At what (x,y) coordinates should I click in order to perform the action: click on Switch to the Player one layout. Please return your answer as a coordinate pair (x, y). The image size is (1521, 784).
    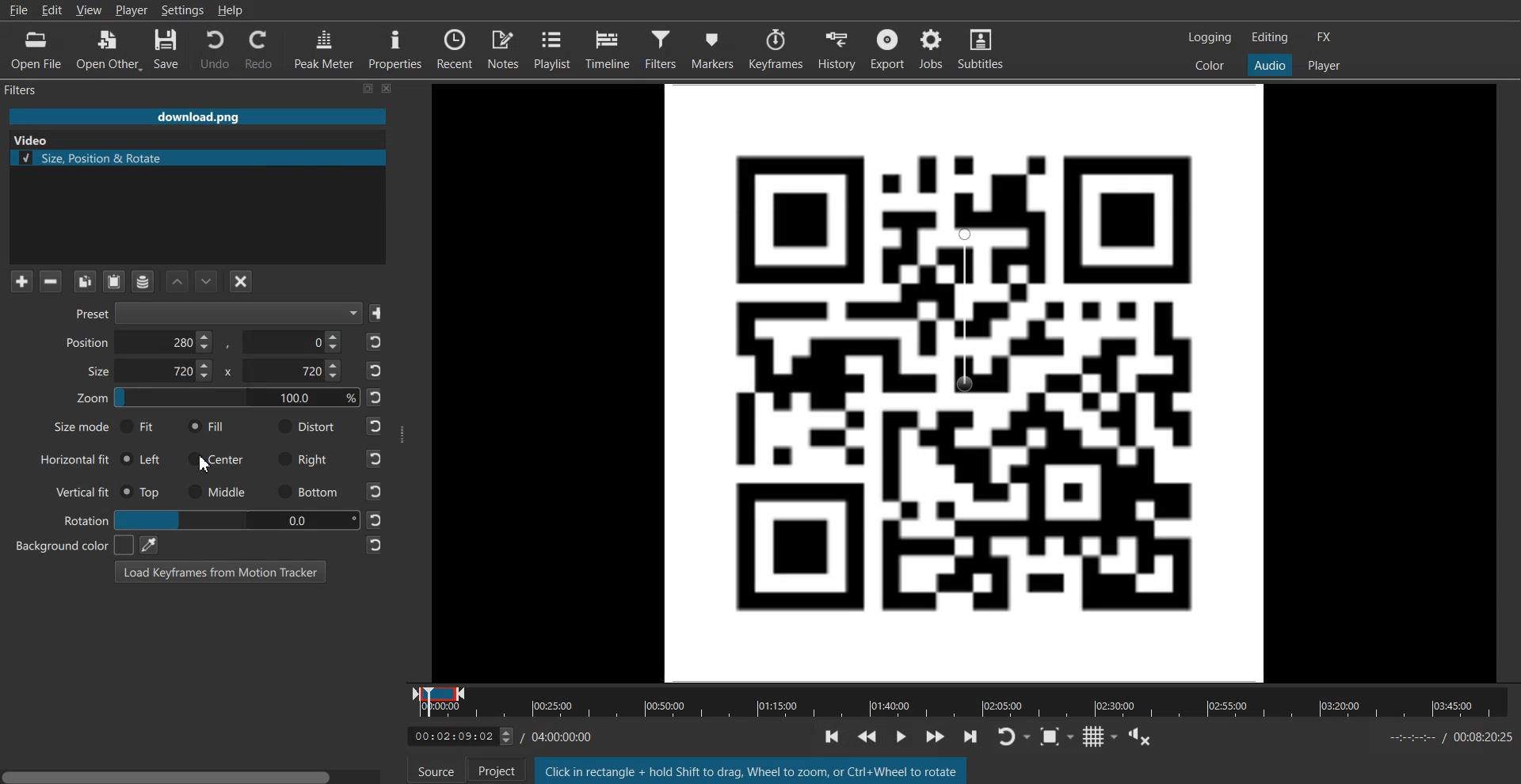
    Looking at the image, I should click on (1325, 66).